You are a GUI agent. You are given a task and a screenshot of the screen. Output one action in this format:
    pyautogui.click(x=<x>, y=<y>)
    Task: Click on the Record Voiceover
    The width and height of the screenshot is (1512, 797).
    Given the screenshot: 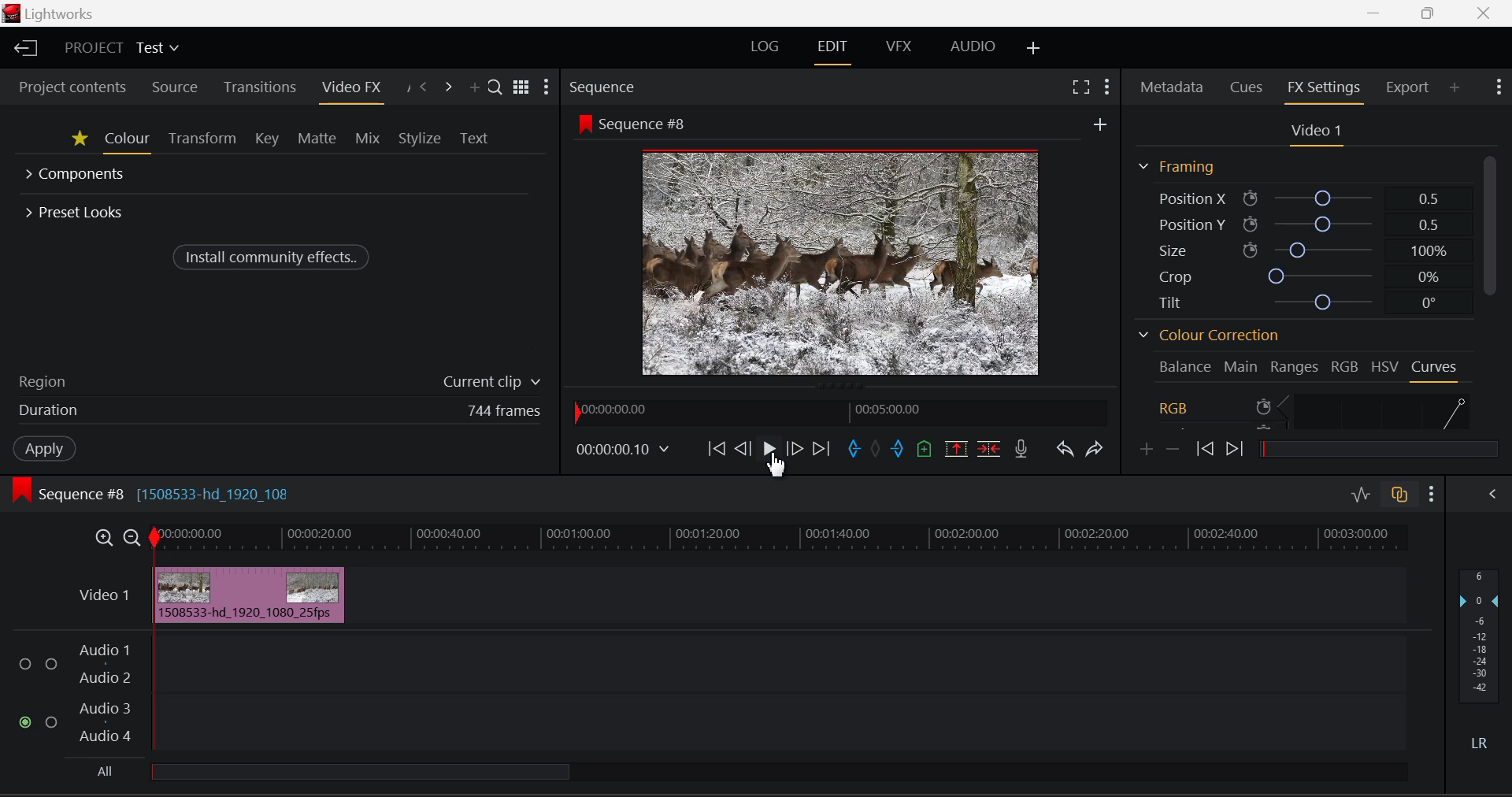 What is the action you would take?
    pyautogui.click(x=1020, y=450)
    